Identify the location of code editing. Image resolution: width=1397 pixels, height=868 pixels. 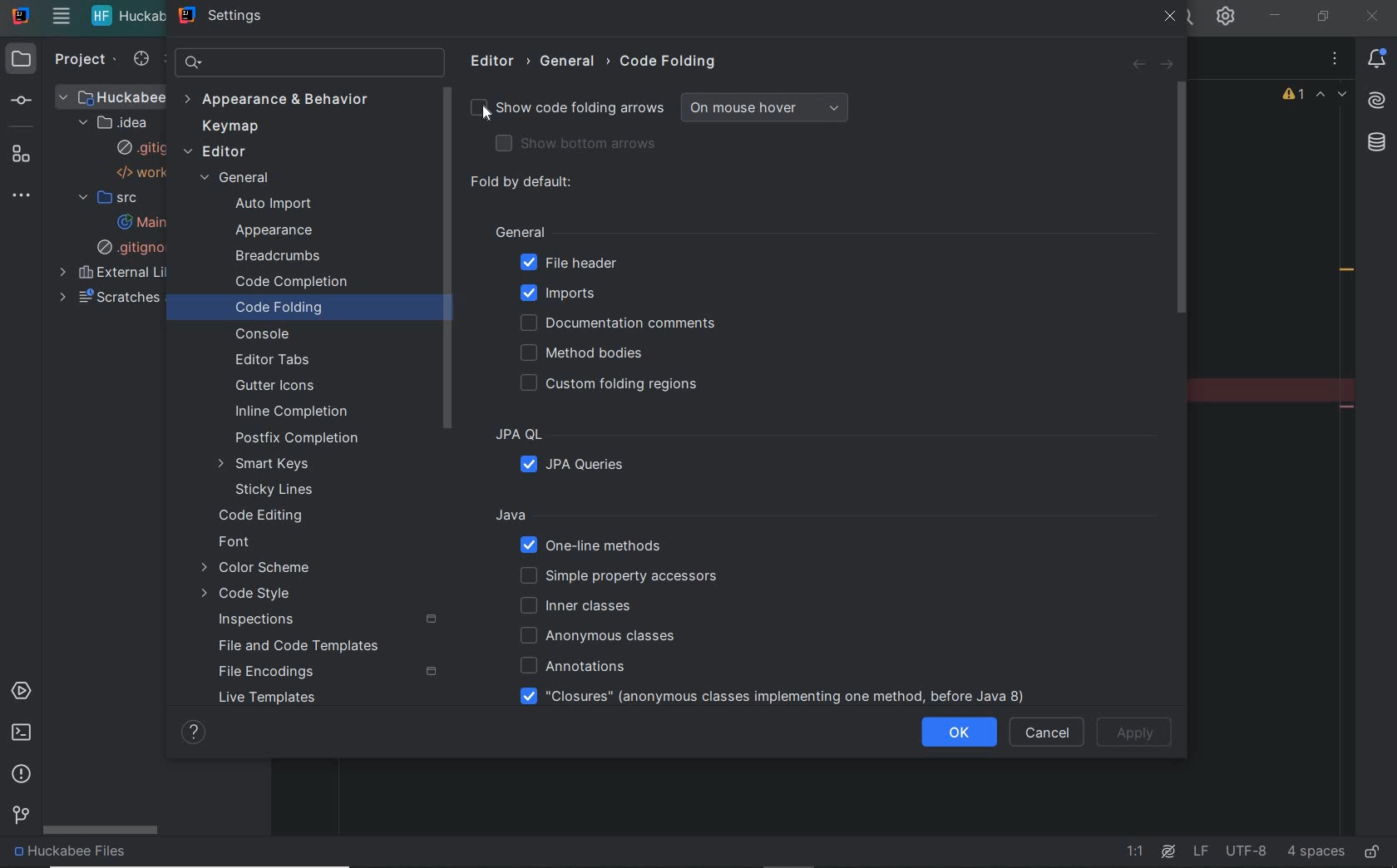
(263, 517).